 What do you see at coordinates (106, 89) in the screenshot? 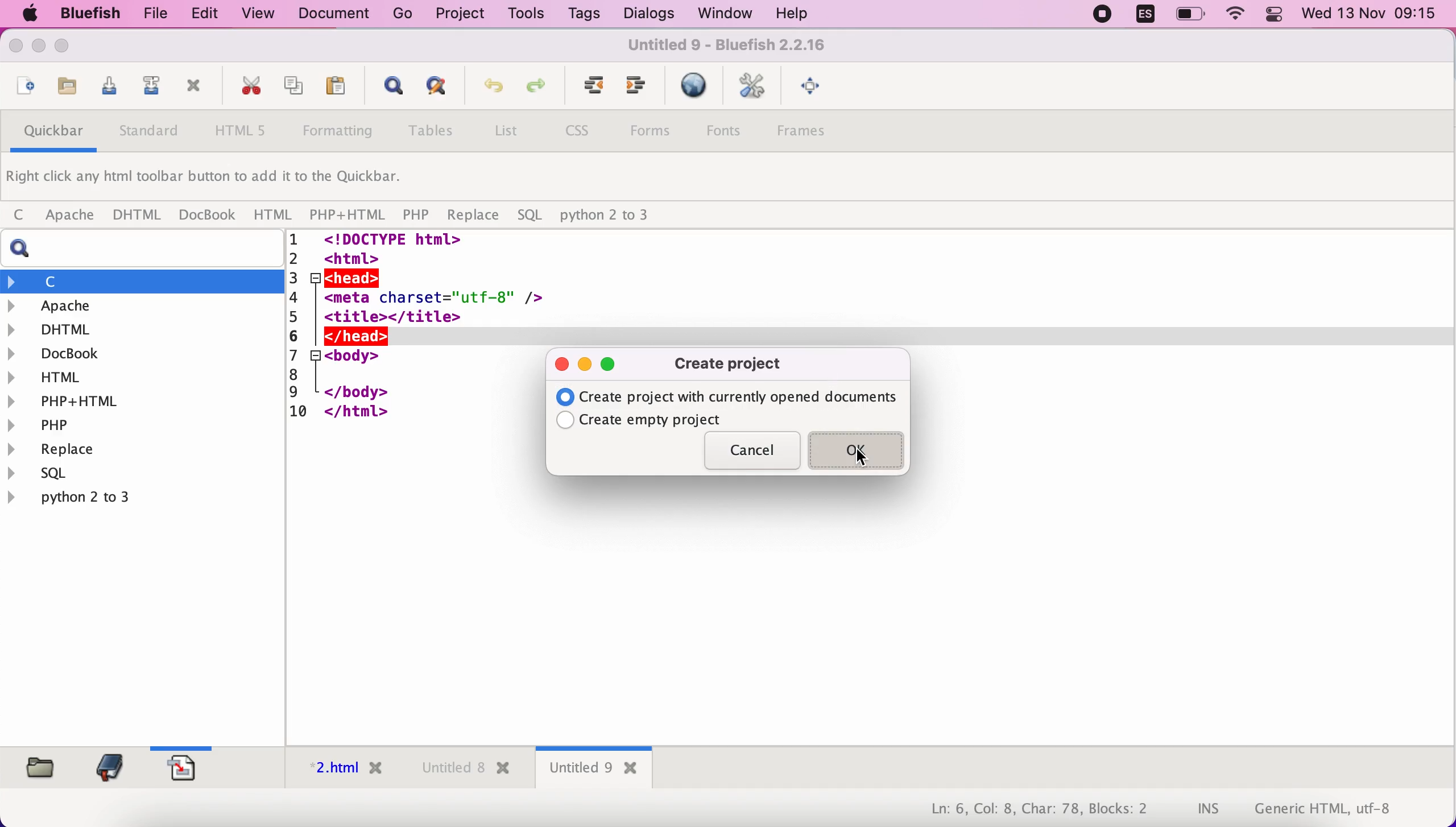
I see `save current file` at bounding box center [106, 89].